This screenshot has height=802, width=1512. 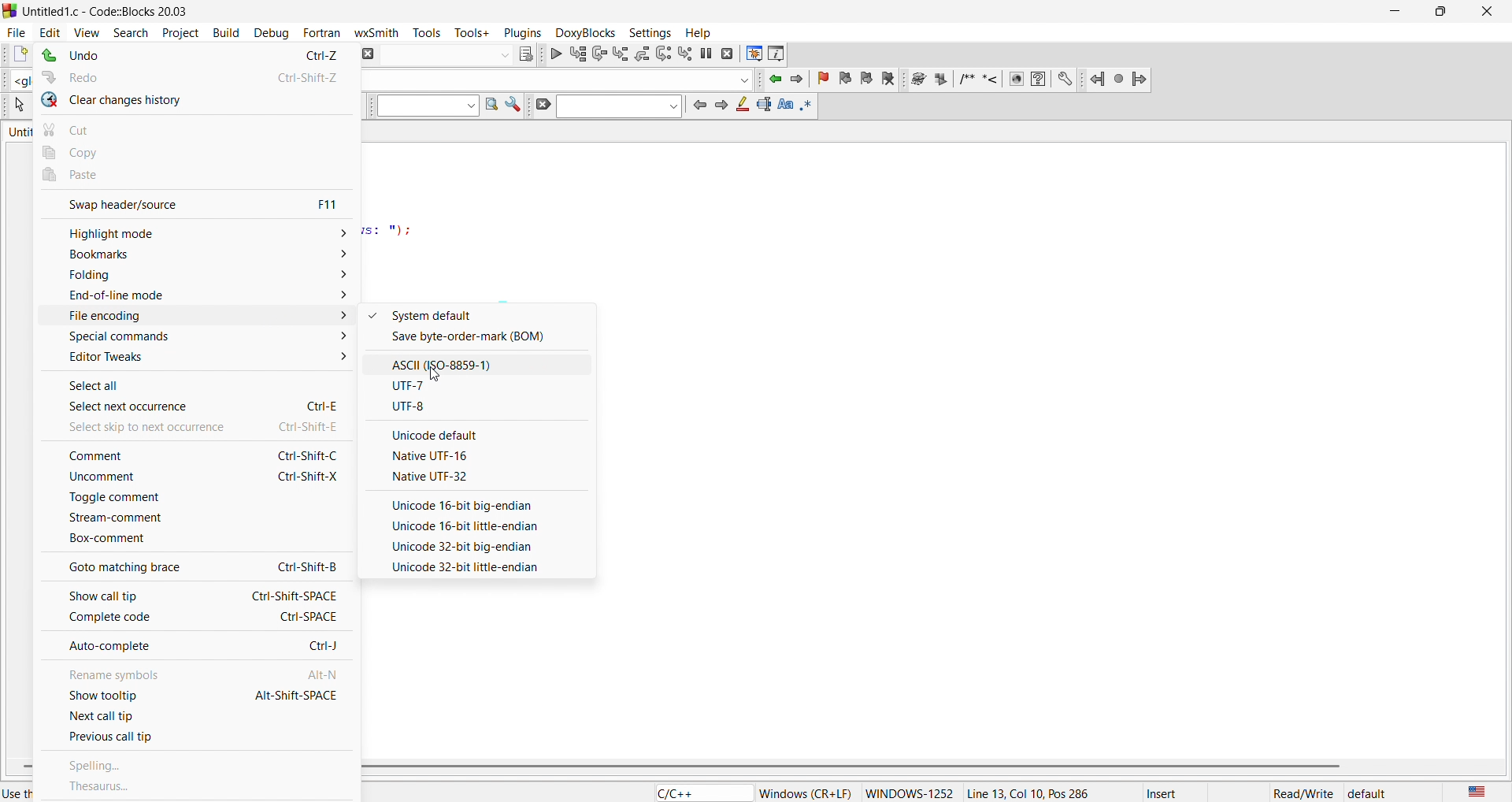 What do you see at coordinates (577, 54) in the screenshot?
I see `run to cursor` at bounding box center [577, 54].